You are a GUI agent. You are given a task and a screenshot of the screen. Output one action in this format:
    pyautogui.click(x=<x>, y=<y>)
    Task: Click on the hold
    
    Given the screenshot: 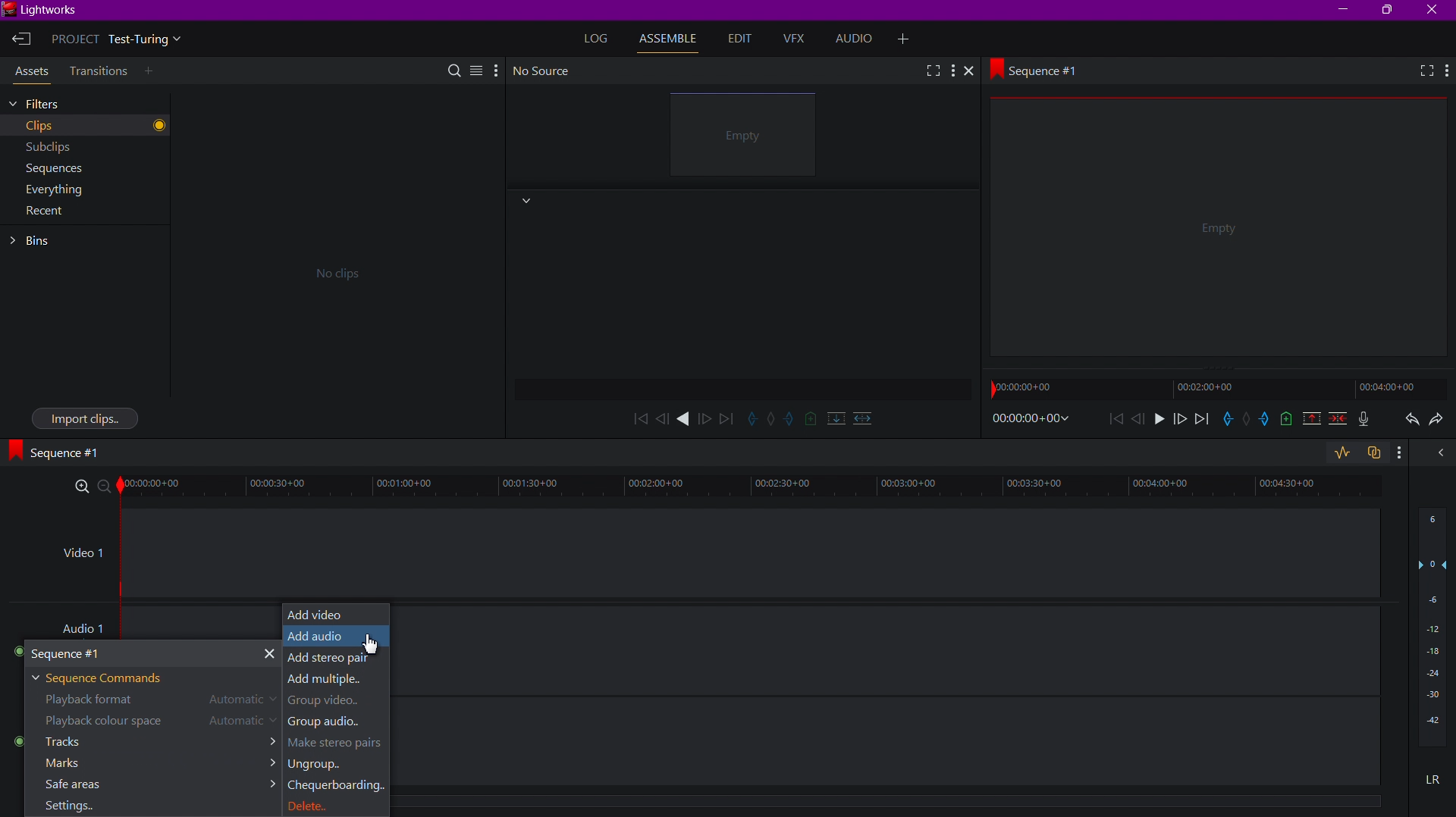 What is the action you would take?
    pyautogui.click(x=1247, y=420)
    